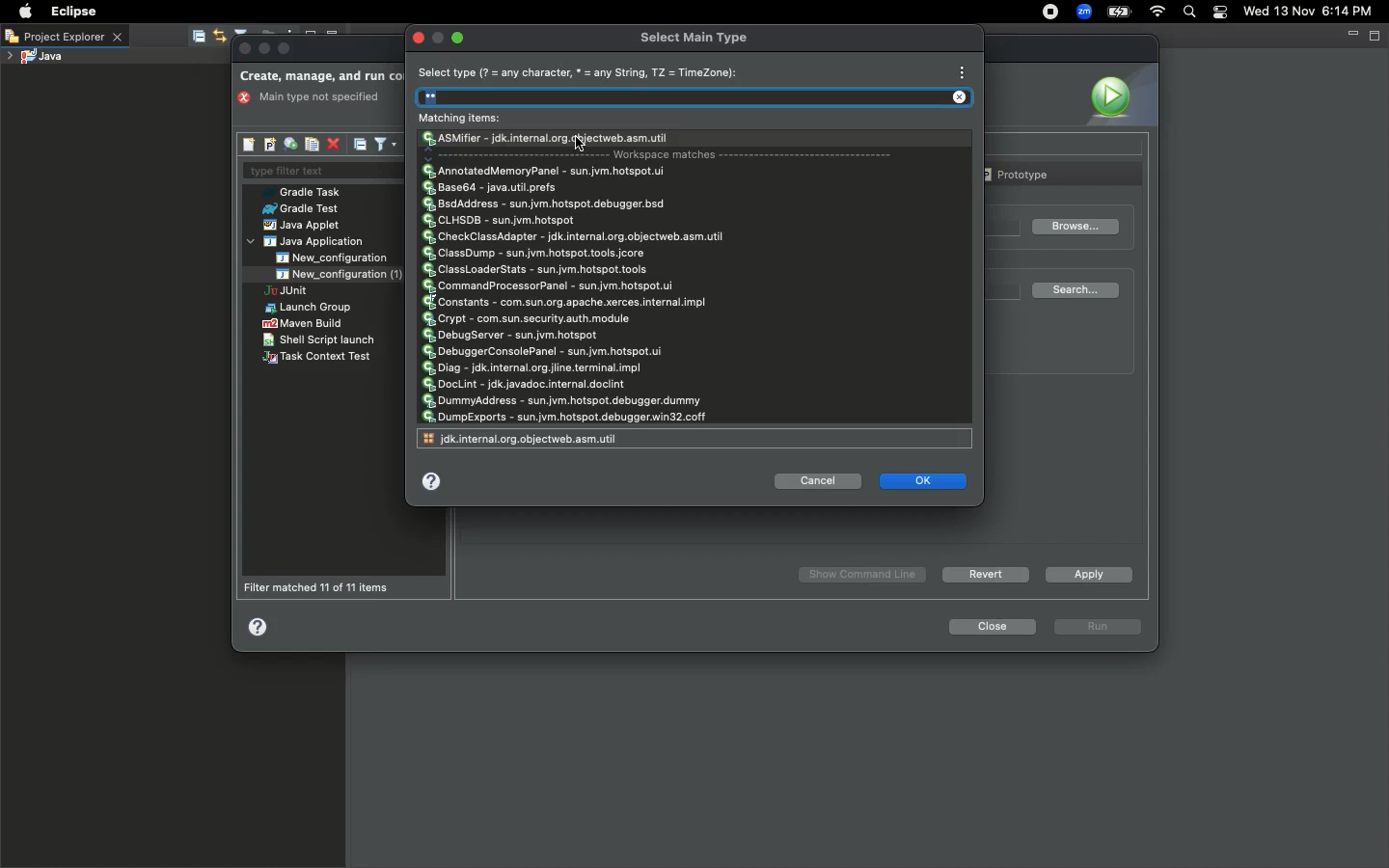 The image size is (1389, 868). I want to click on Base64 - java.util.prefs, so click(495, 188).